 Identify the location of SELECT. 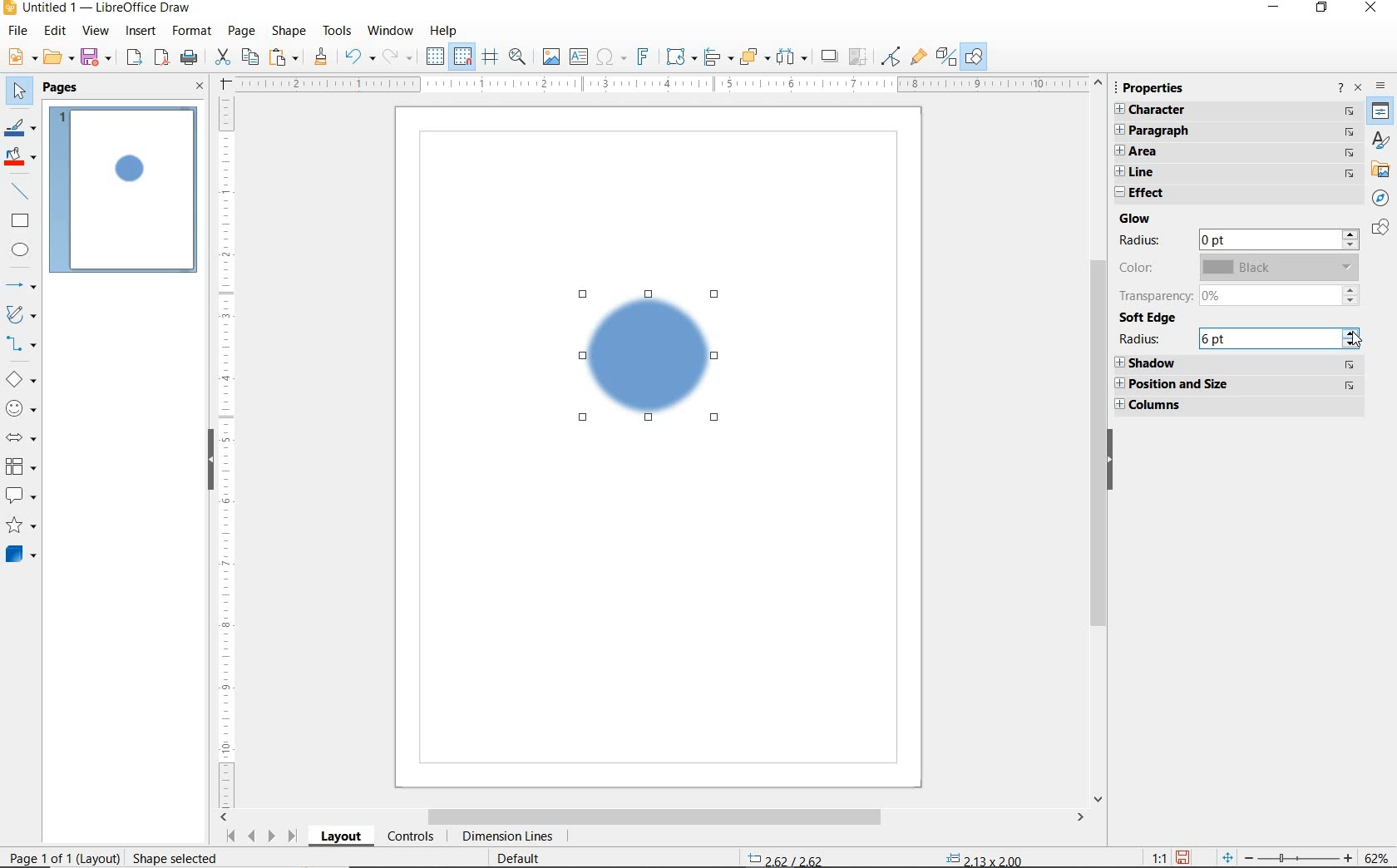
(22, 89).